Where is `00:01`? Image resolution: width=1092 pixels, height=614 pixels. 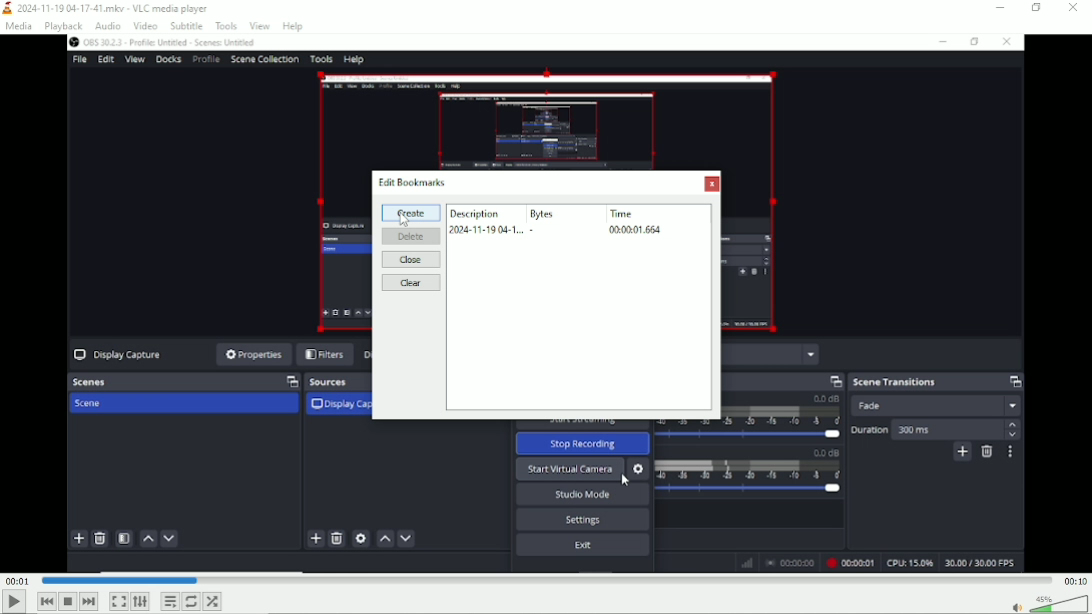
00:01 is located at coordinates (17, 579).